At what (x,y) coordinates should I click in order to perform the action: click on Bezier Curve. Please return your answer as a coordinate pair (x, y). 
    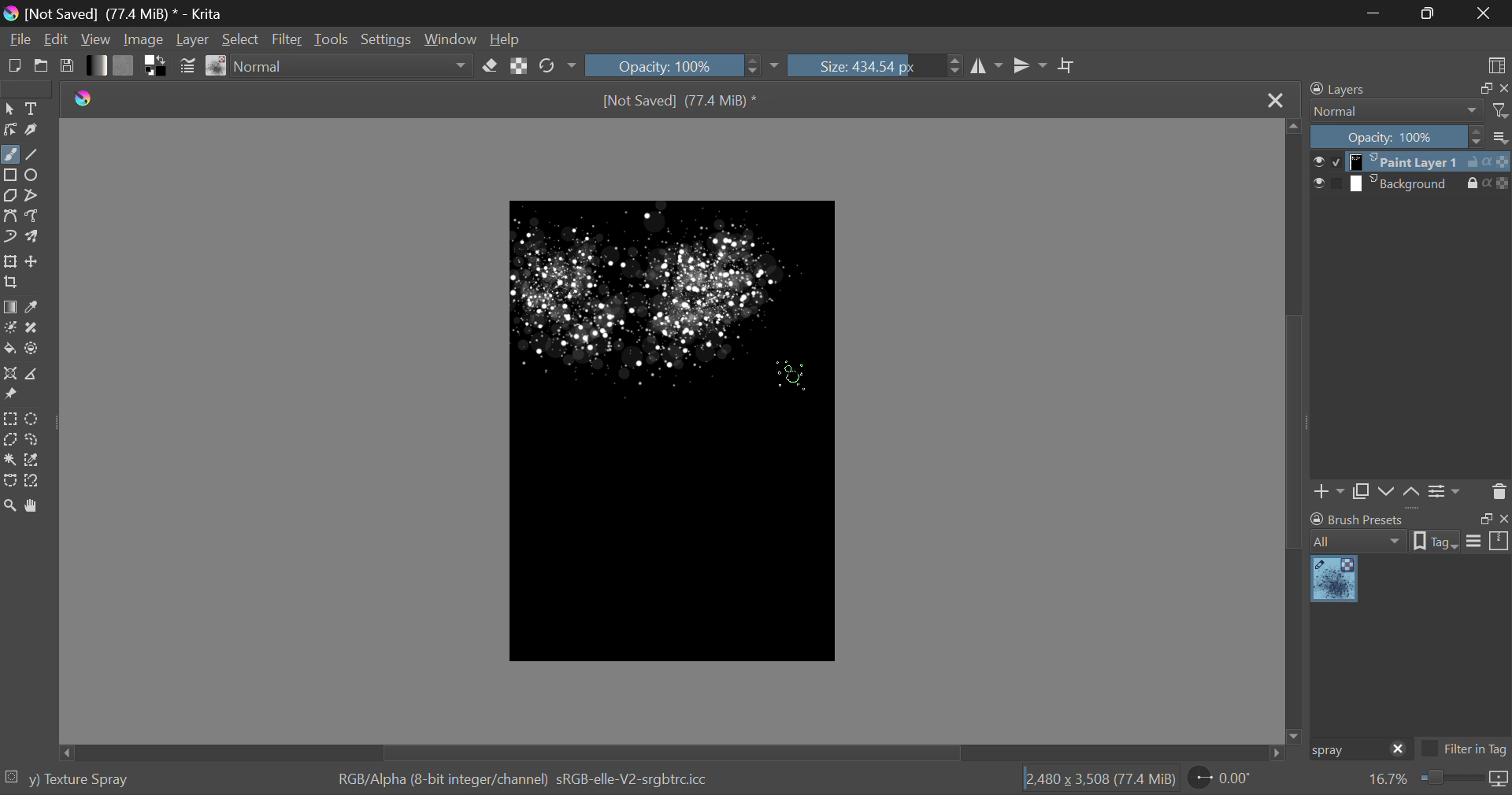
    Looking at the image, I should click on (9, 215).